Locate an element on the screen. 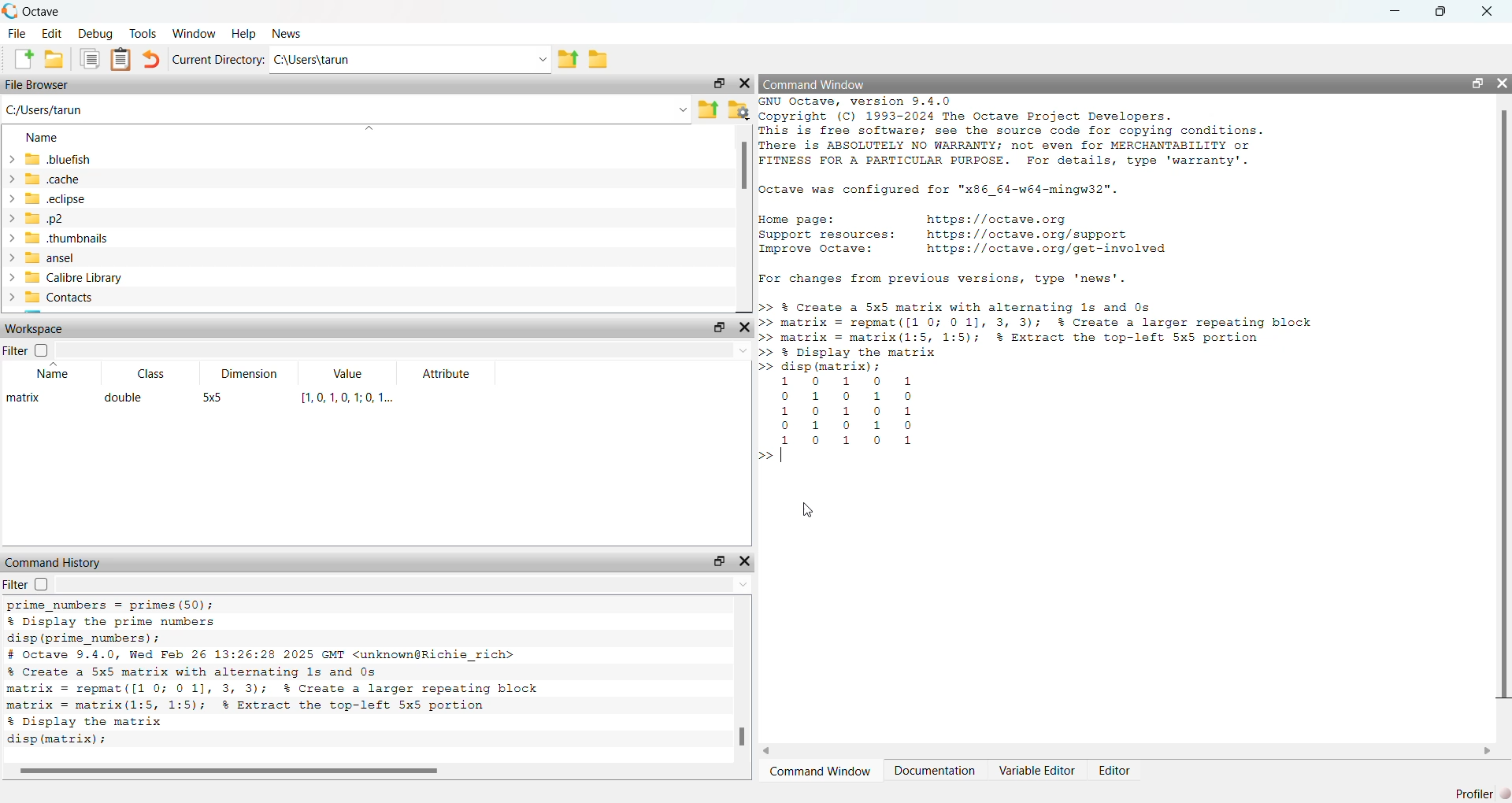  .eclipse is located at coordinates (57, 198).